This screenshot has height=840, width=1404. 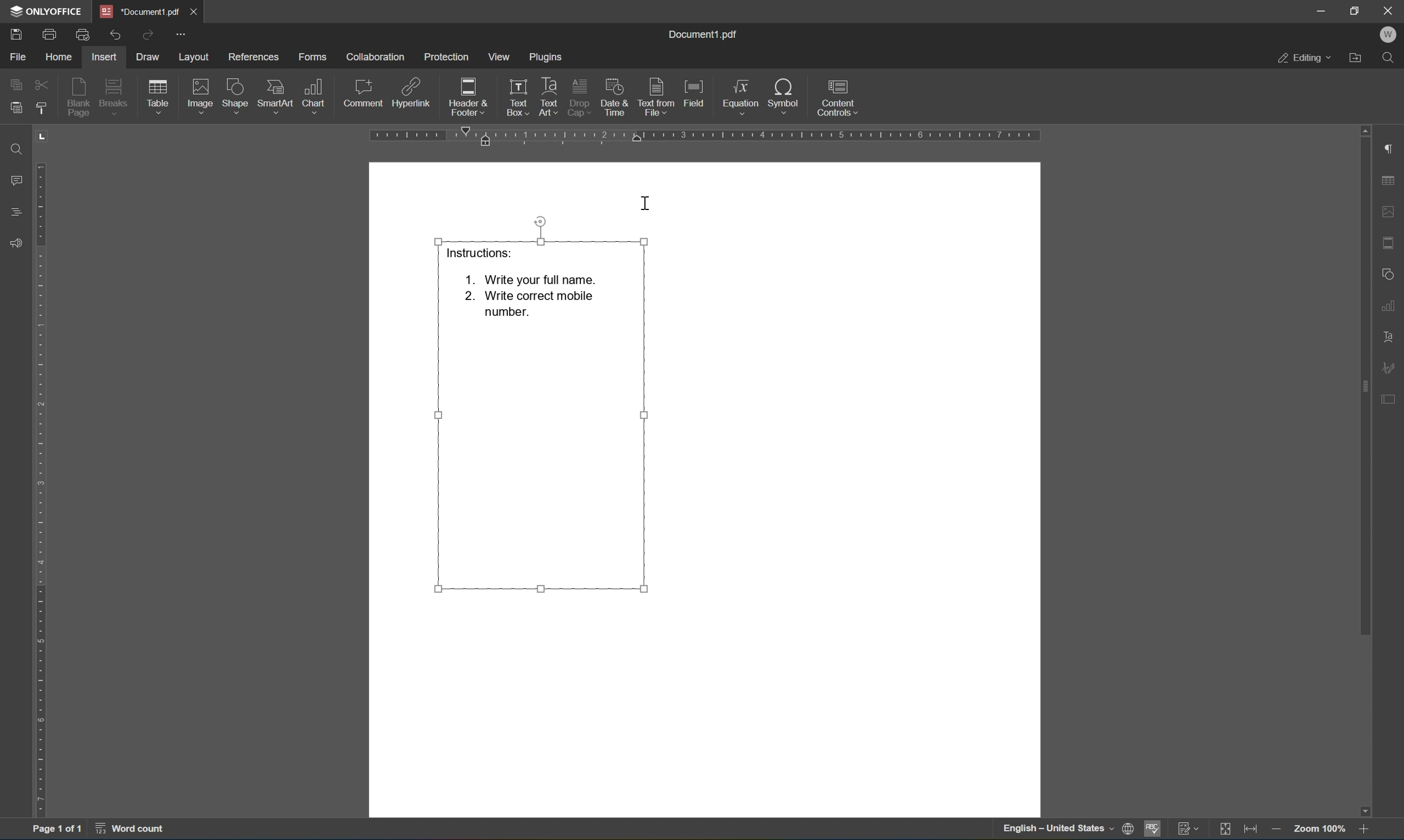 What do you see at coordinates (1389, 181) in the screenshot?
I see `Table settings` at bounding box center [1389, 181].